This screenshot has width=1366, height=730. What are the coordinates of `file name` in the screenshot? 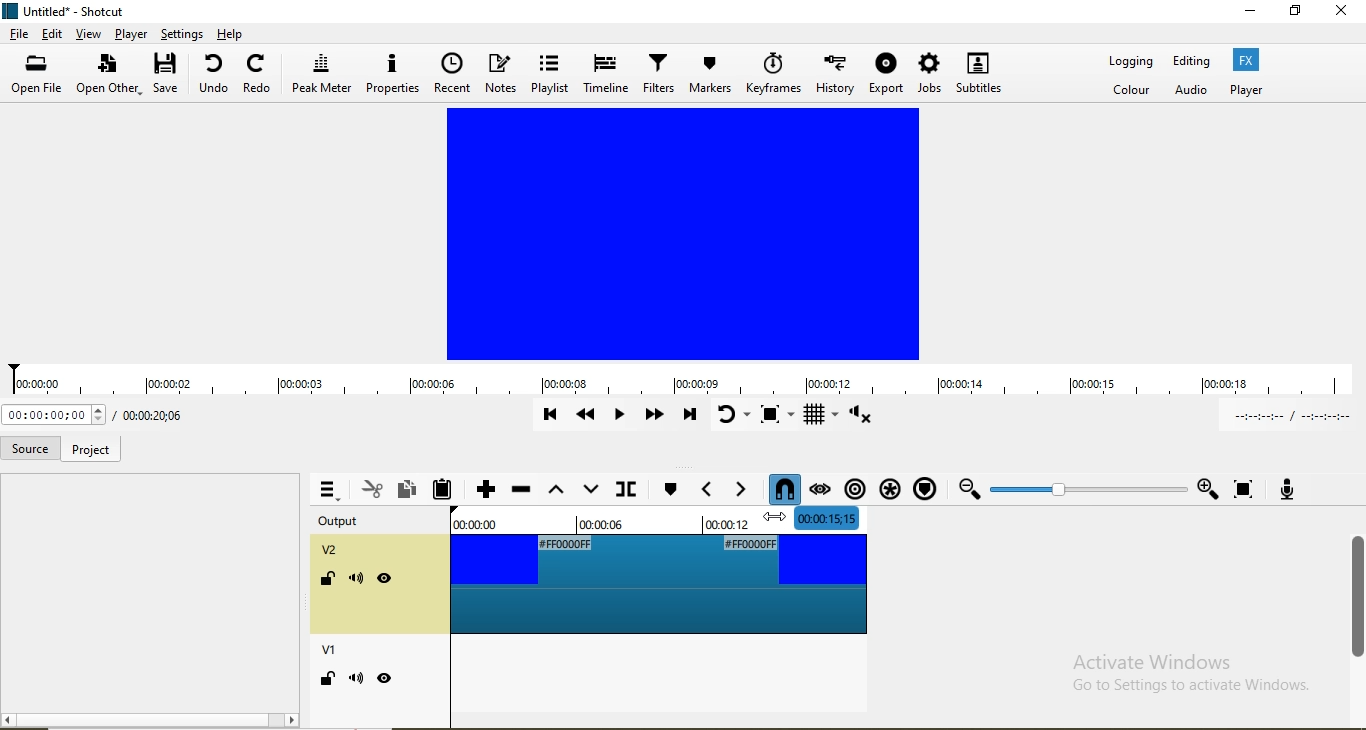 It's located at (67, 13).